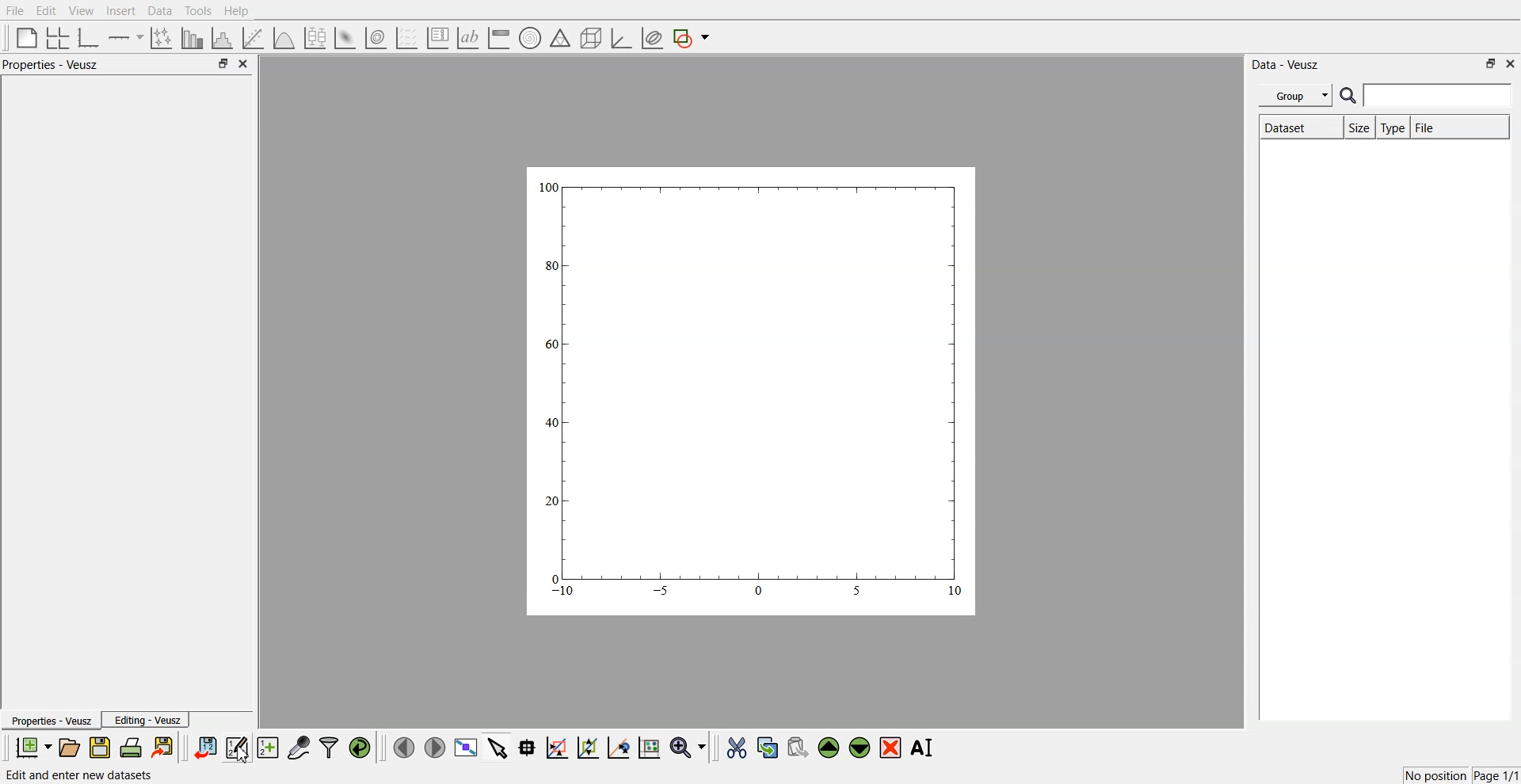 The image size is (1521, 784). Describe the element at coordinates (192, 39) in the screenshot. I see `plot bar chart` at that location.